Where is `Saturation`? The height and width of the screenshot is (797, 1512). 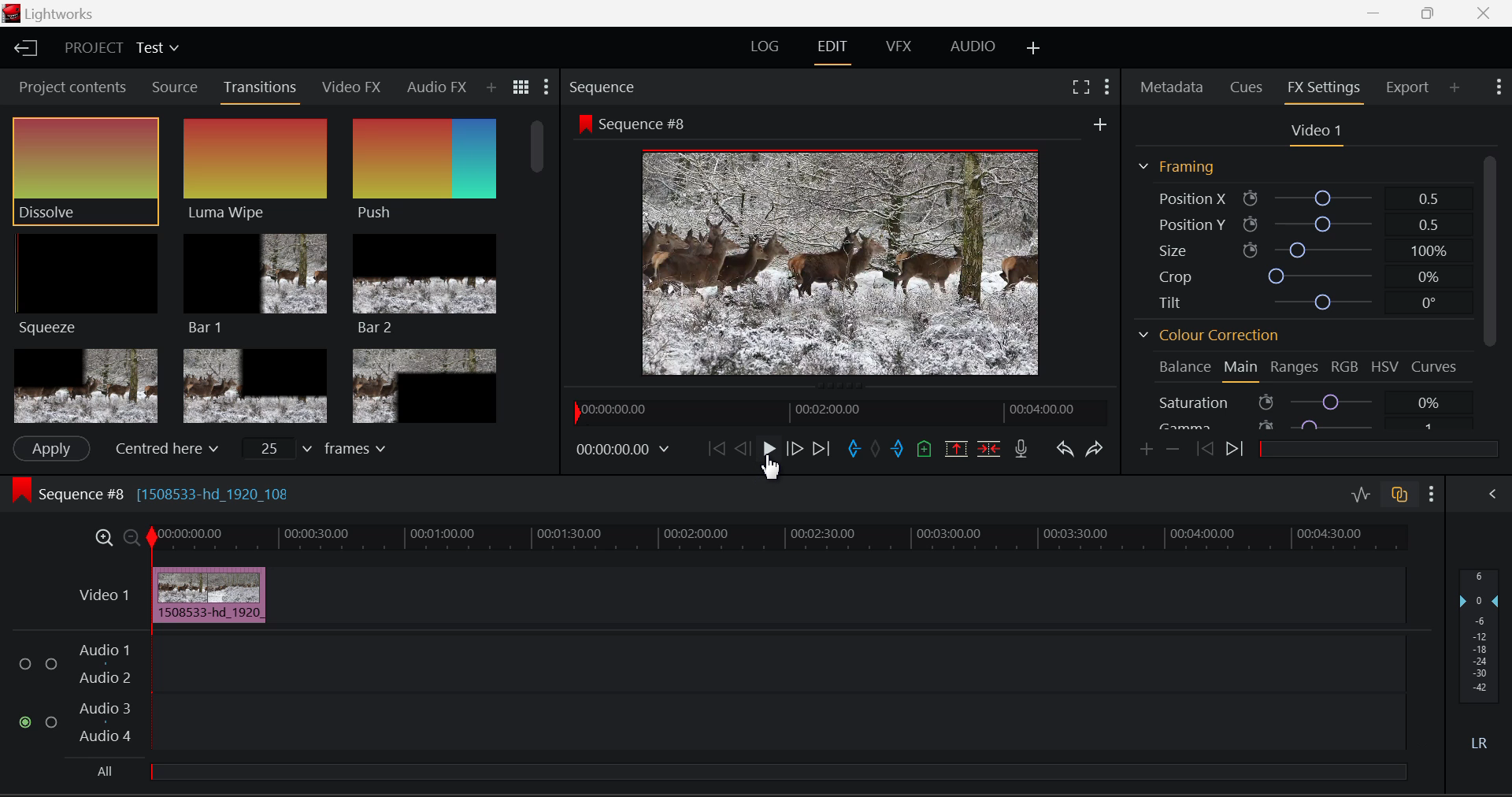
Saturation is located at coordinates (1299, 402).